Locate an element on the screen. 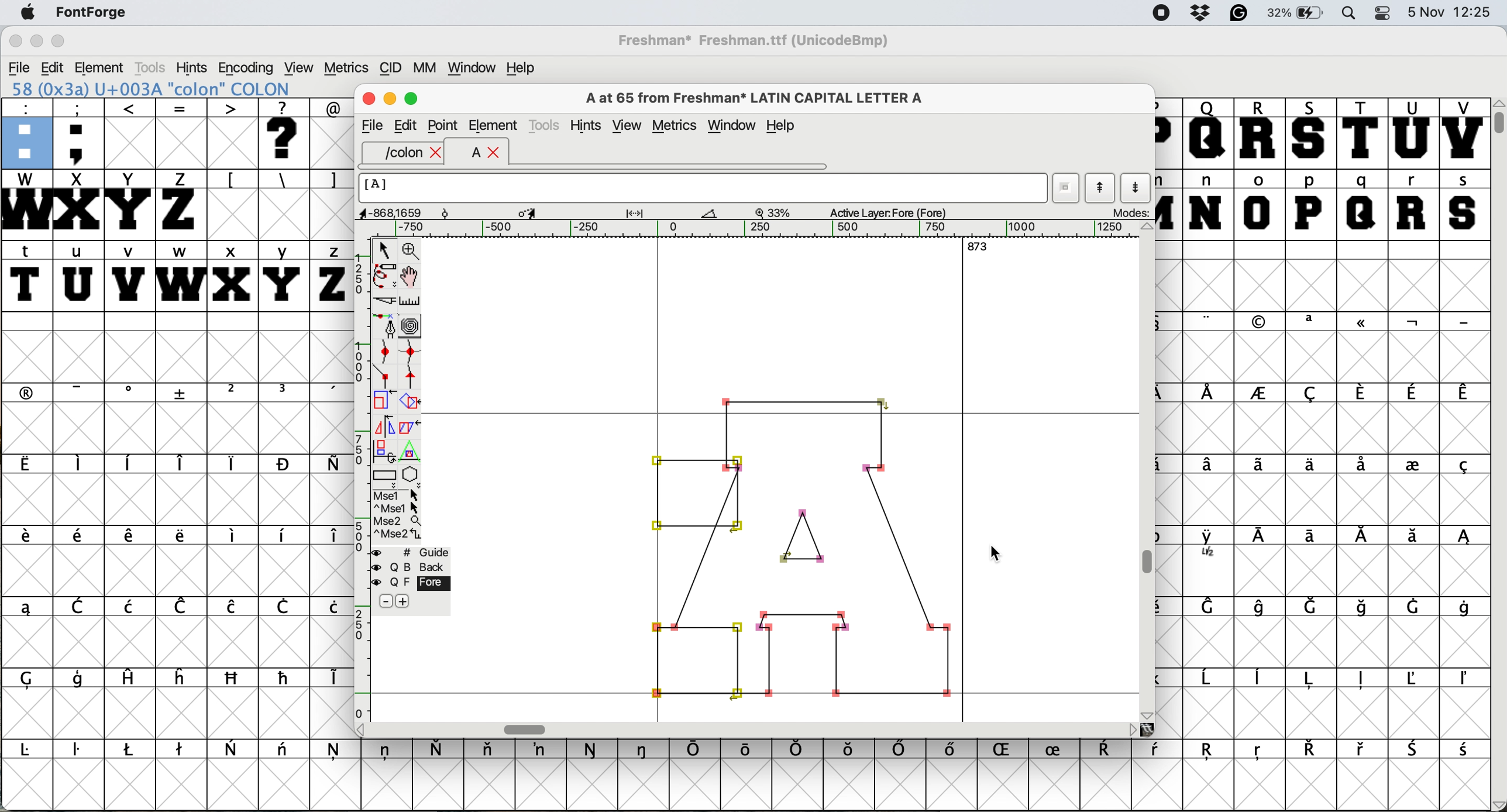  R is located at coordinates (1261, 132).